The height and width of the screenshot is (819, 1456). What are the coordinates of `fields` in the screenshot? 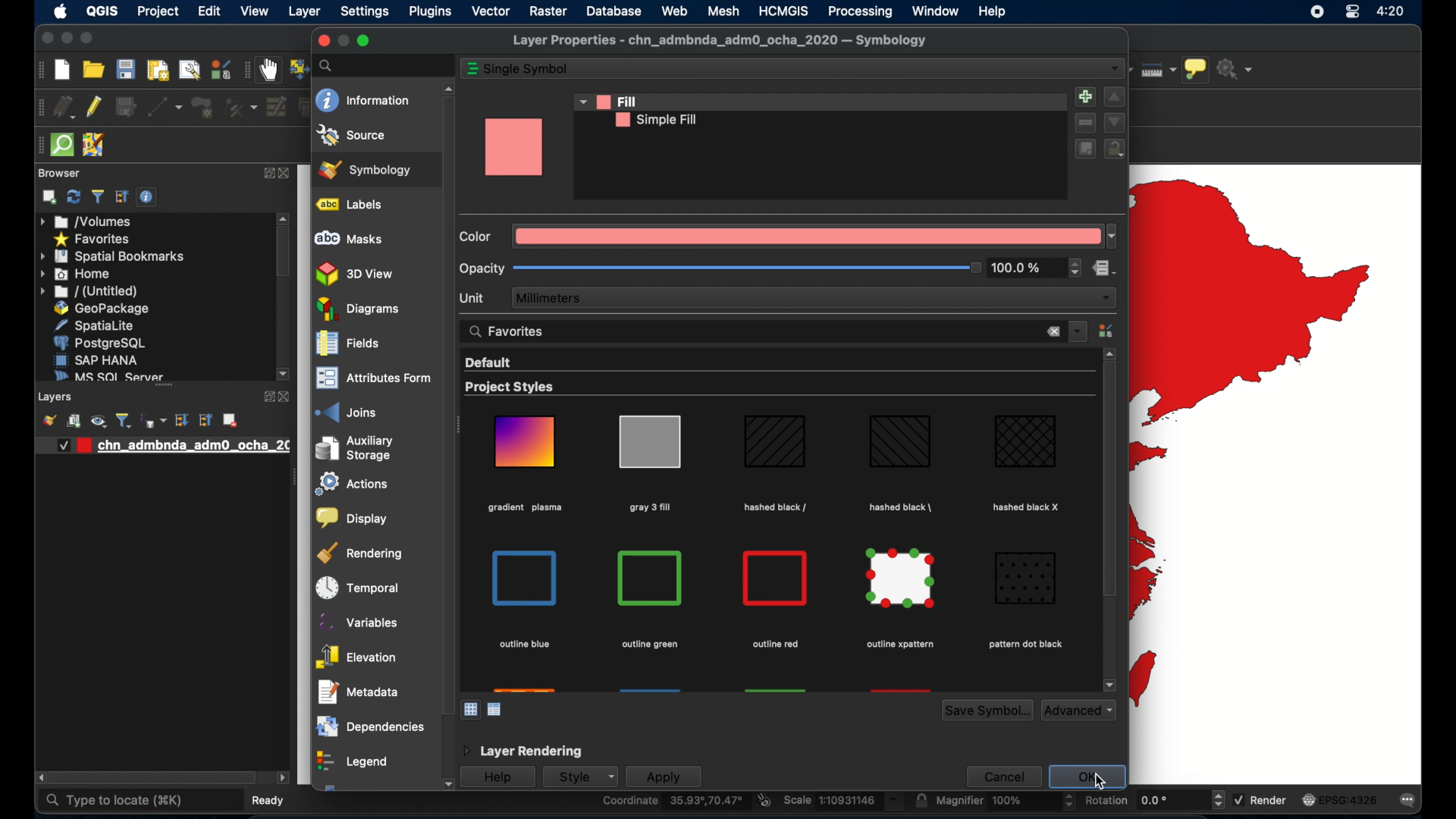 It's located at (348, 345).